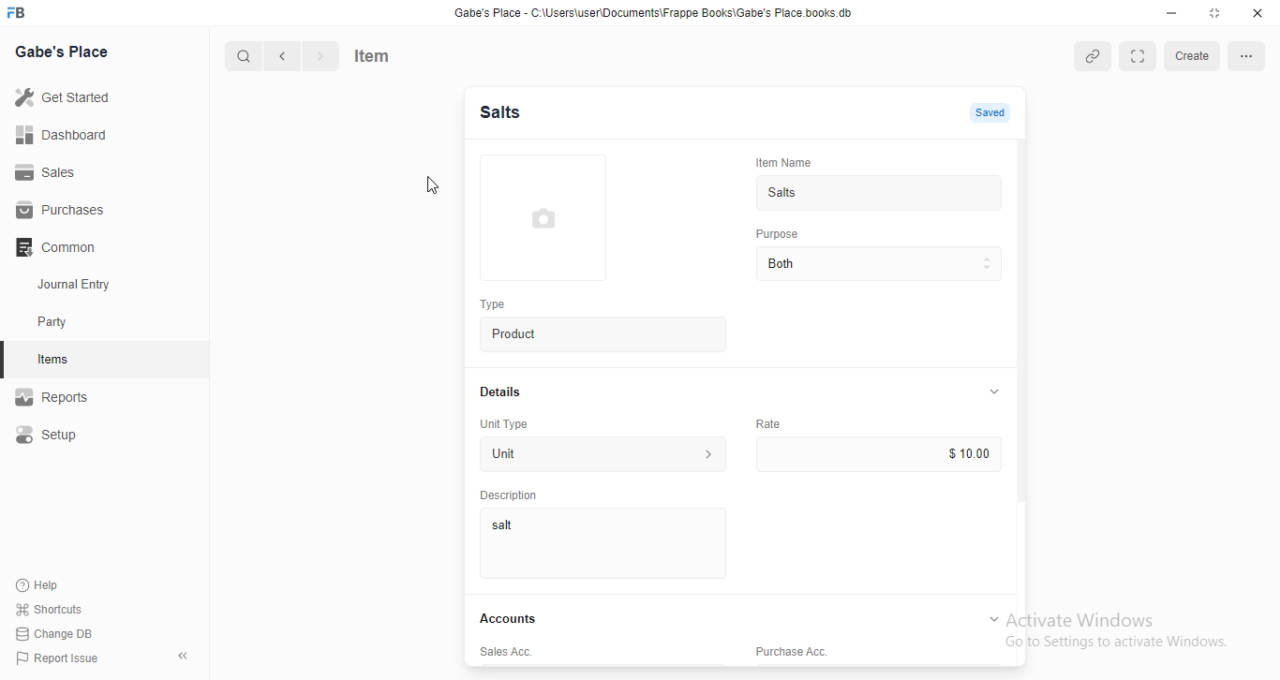 The width and height of the screenshot is (1280, 680). I want to click on image preview, so click(547, 219).